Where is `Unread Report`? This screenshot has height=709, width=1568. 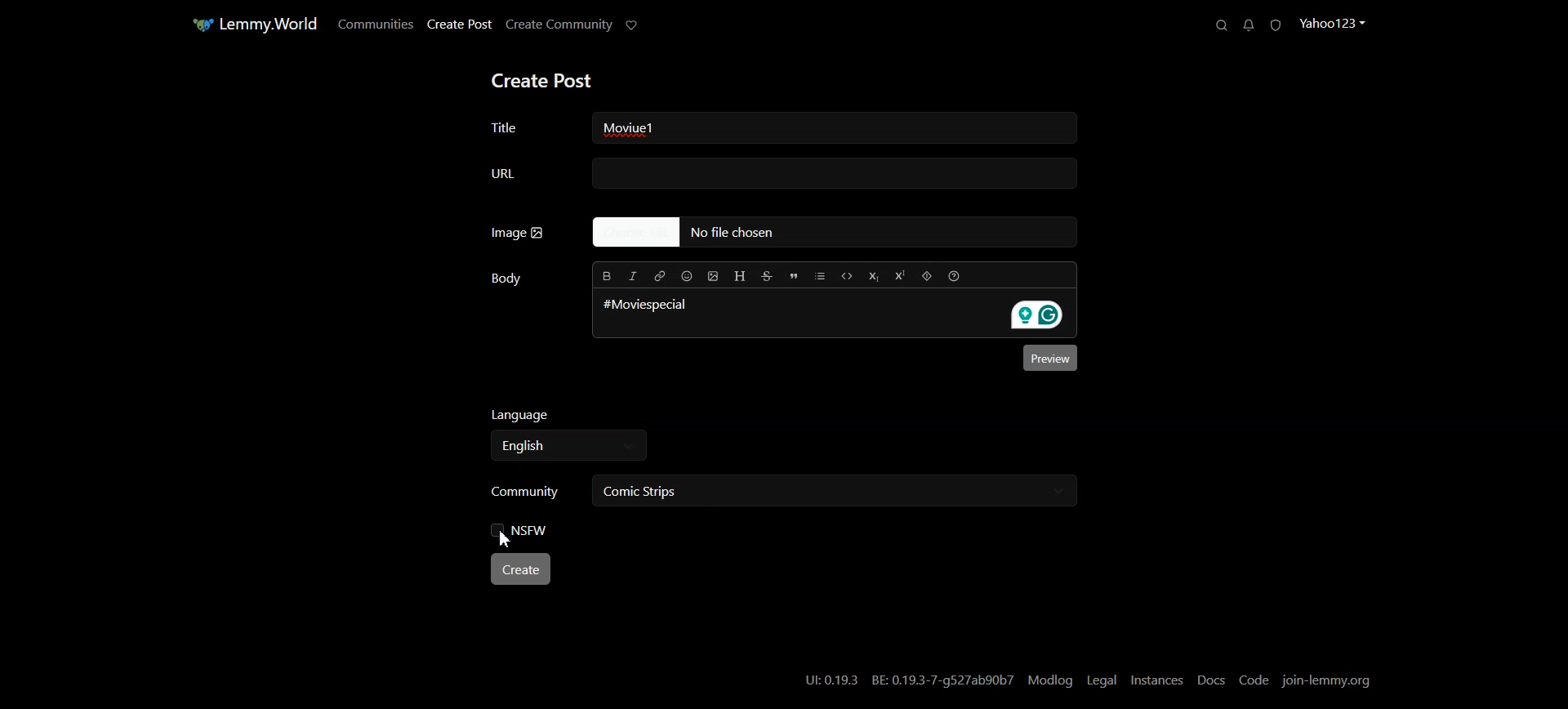 Unread Report is located at coordinates (1273, 24).